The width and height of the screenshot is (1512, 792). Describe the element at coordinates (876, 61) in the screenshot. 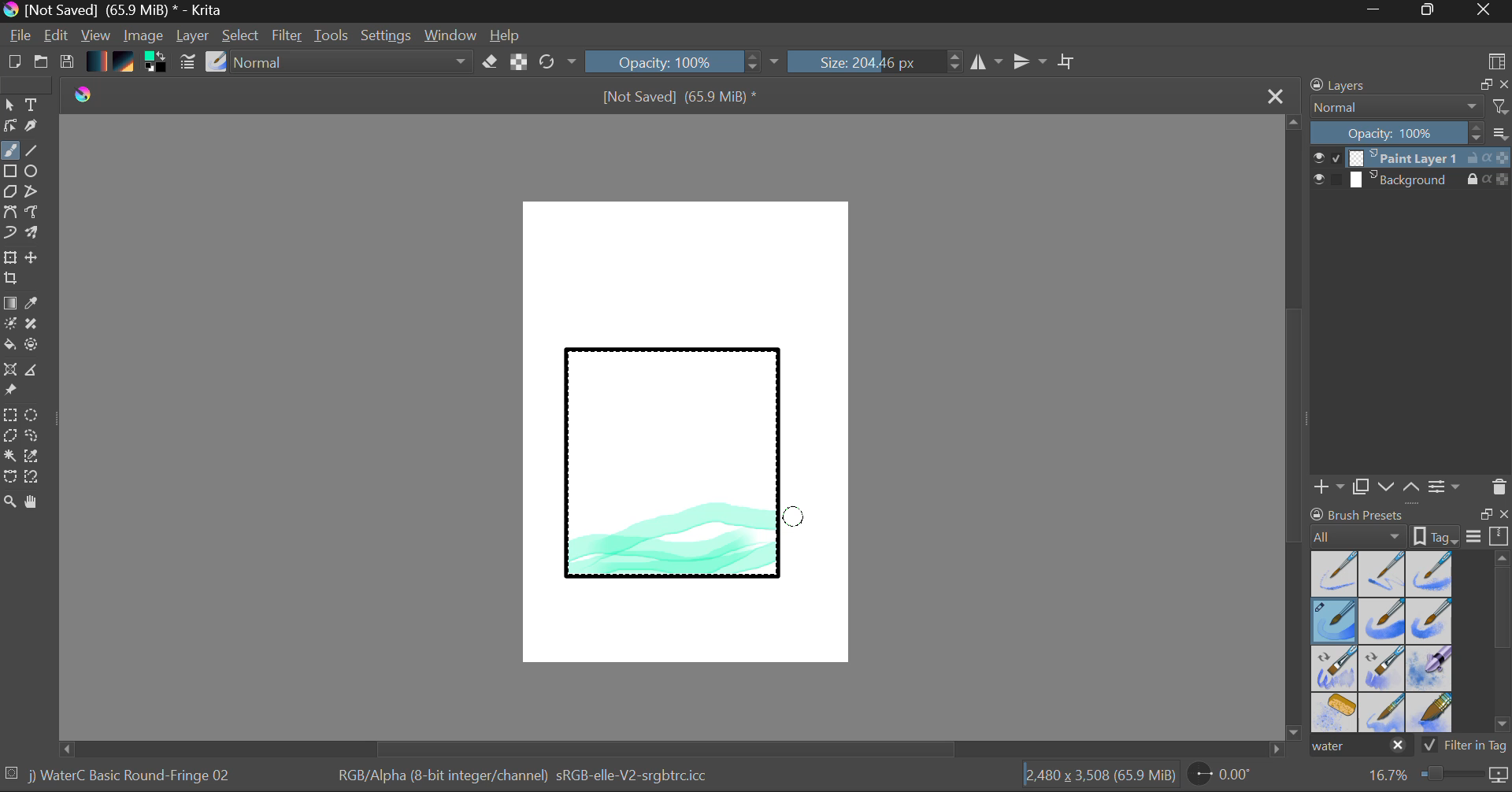

I see `Brush Size` at that location.